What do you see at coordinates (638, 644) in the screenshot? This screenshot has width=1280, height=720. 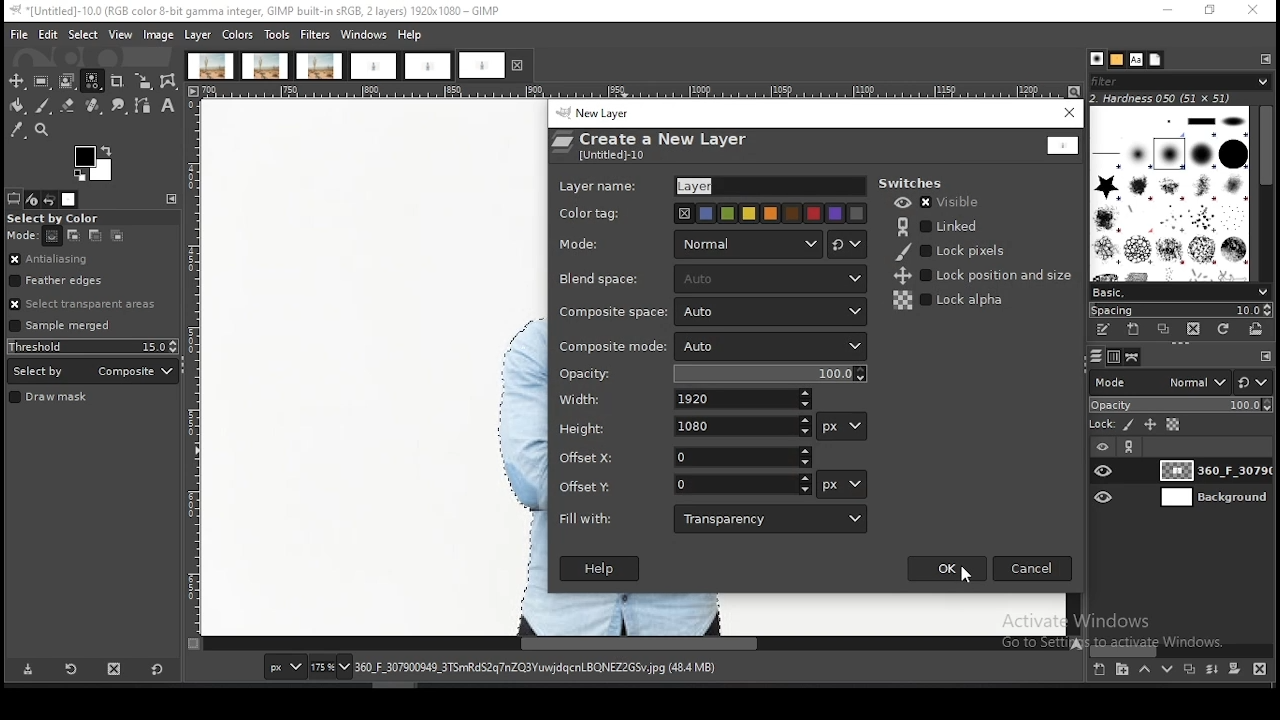 I see `scroll bar` at bounding box center [638, 644].